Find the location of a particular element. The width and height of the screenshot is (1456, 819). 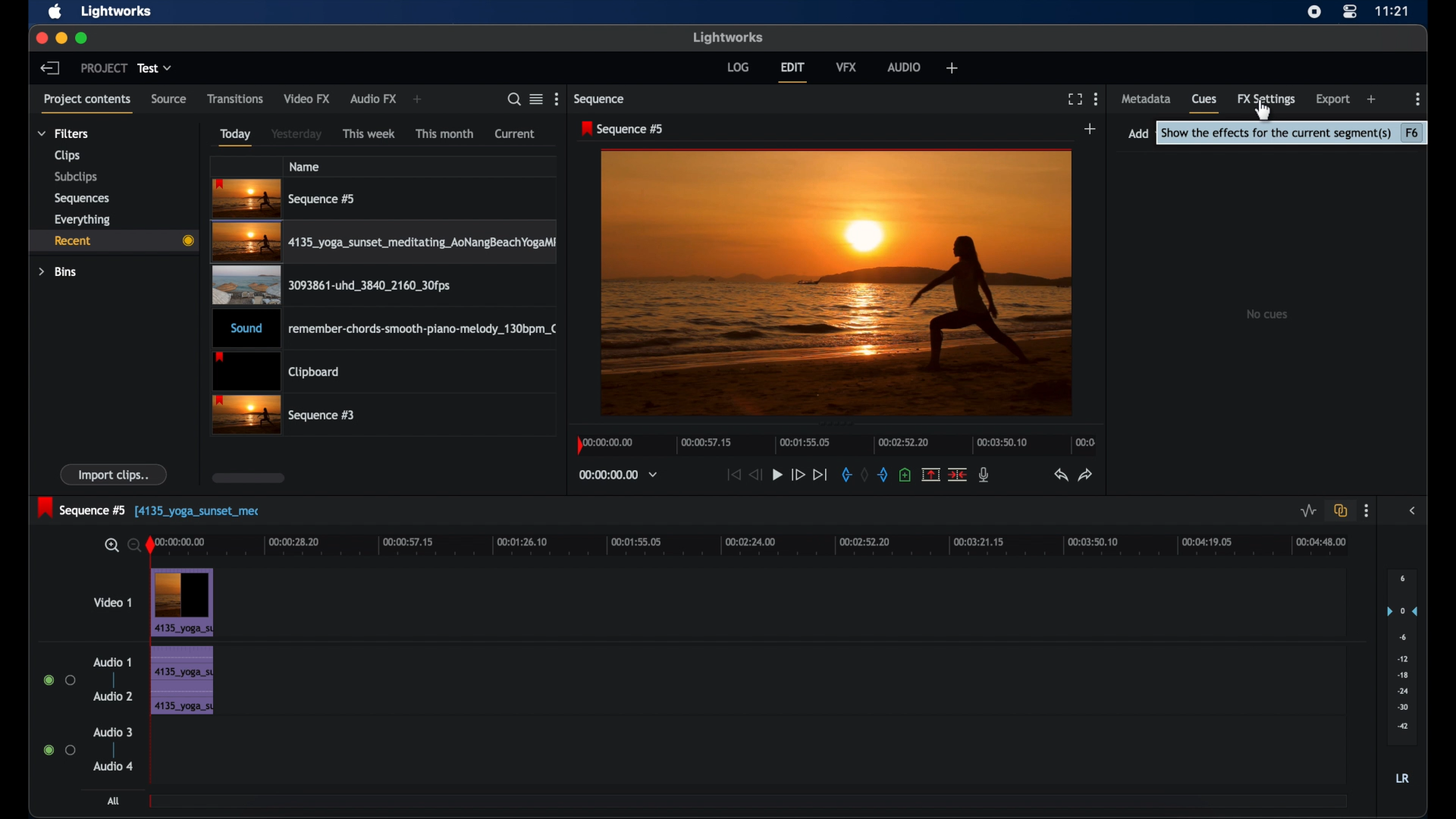

current is located at coordinates (515, 133).